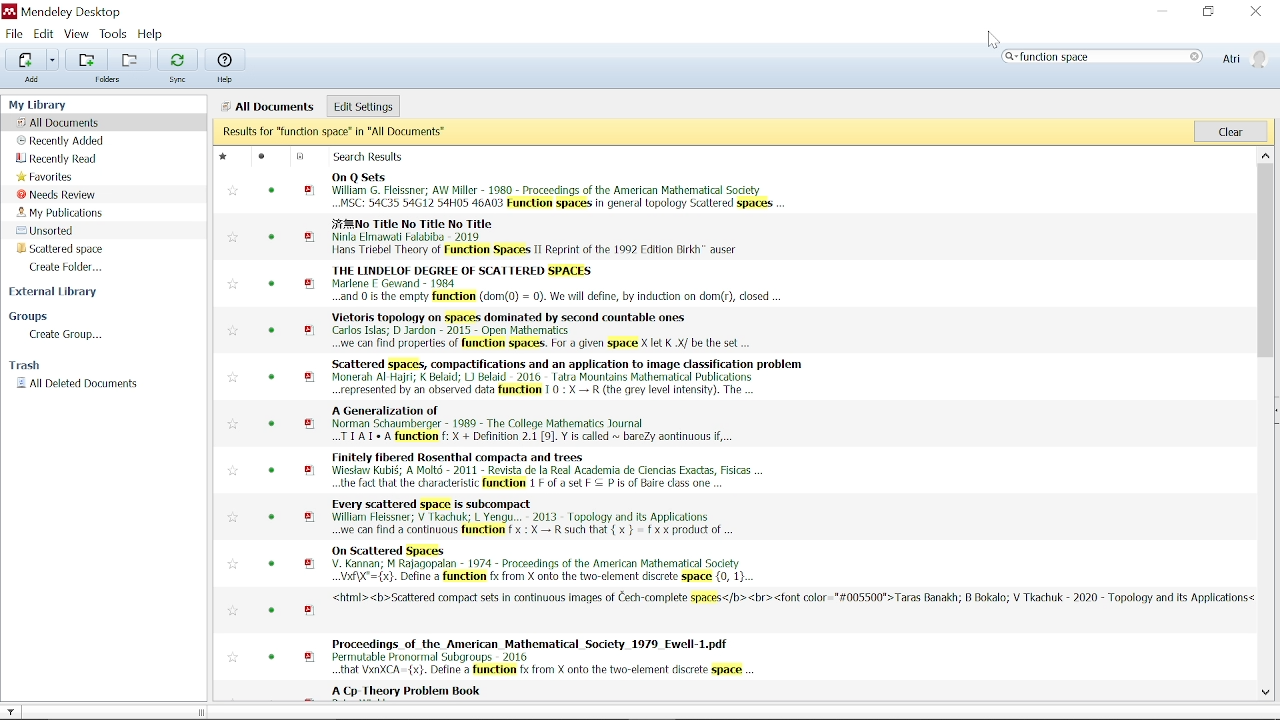 The width and height of the screenshot is (1280, 720). I want to click on Add files options, so click(54, 60).